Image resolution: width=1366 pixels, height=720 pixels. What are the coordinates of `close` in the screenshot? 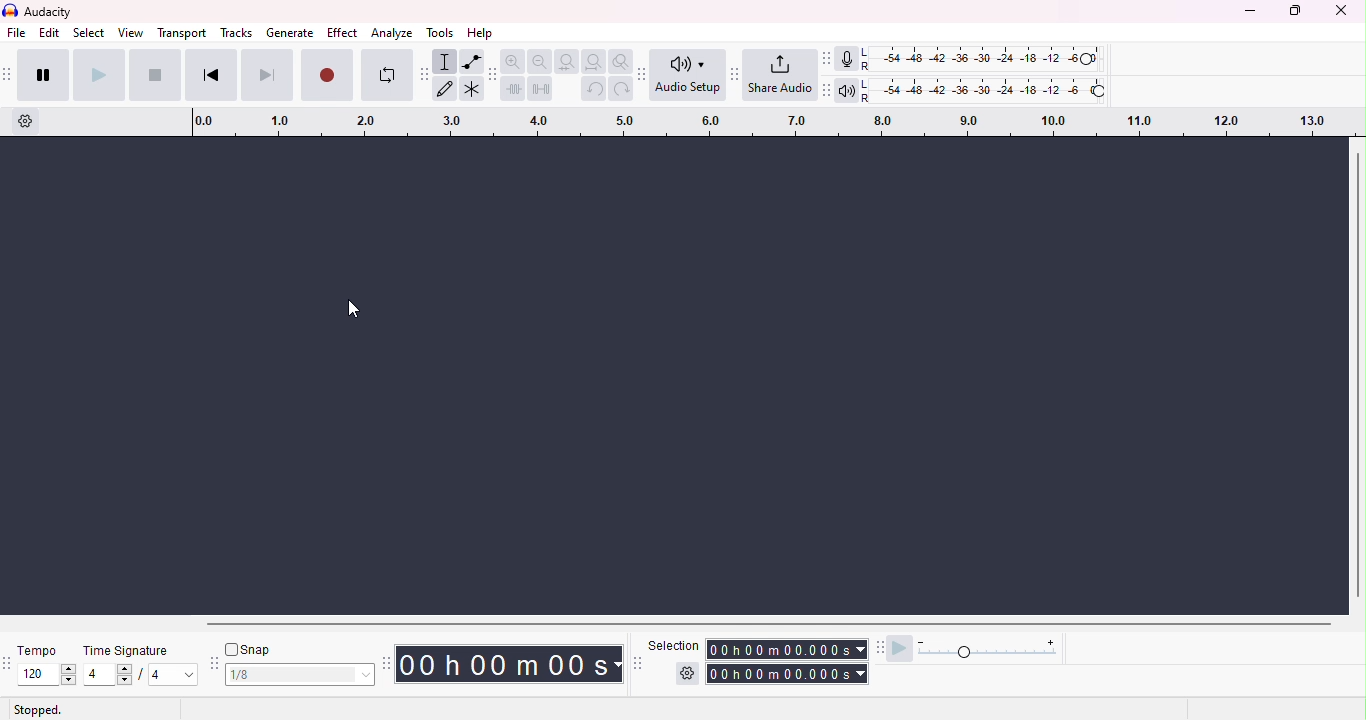 It's located at (1341, 11).